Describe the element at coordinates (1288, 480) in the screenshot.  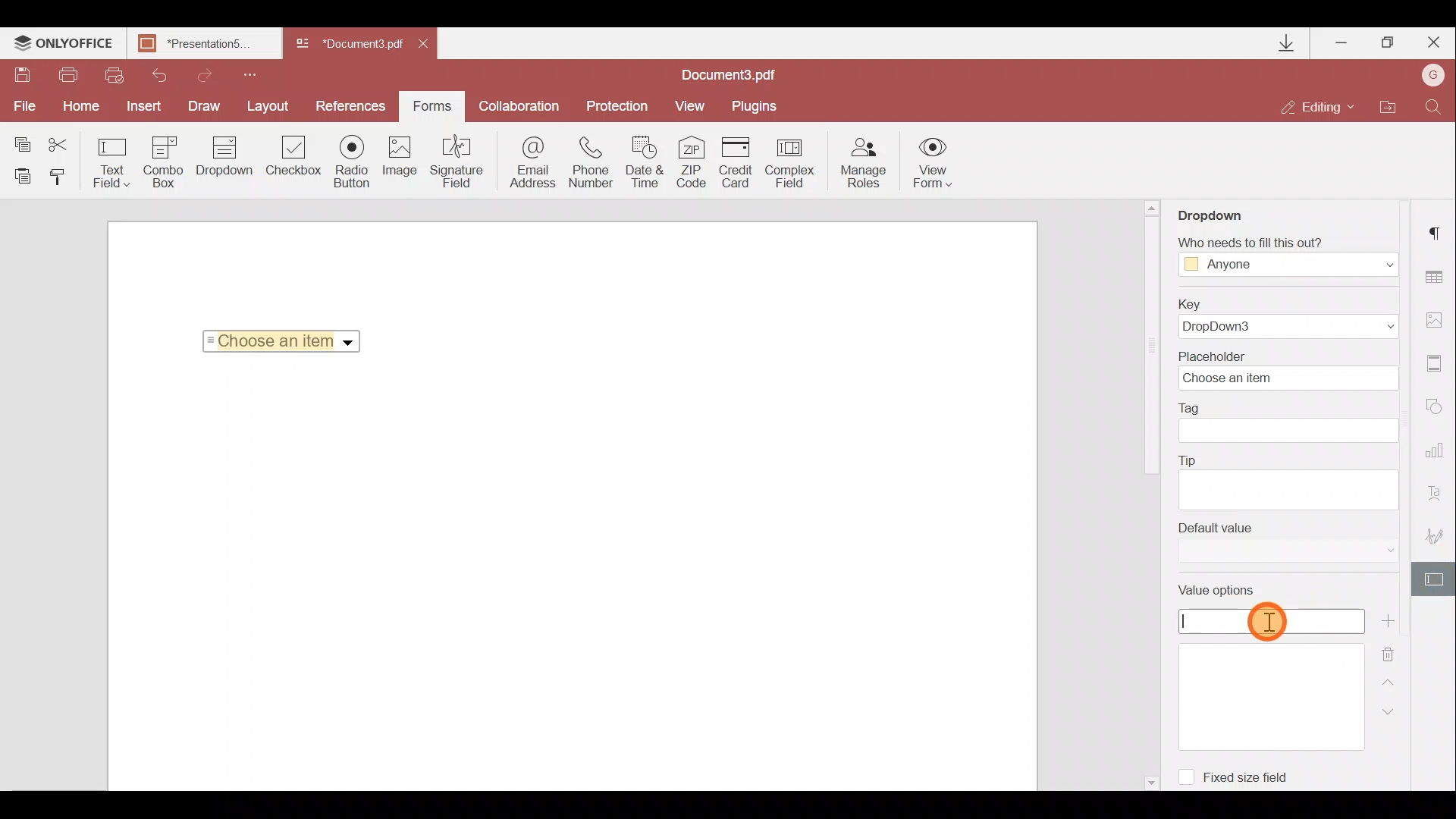
I see `Tip` at that location.